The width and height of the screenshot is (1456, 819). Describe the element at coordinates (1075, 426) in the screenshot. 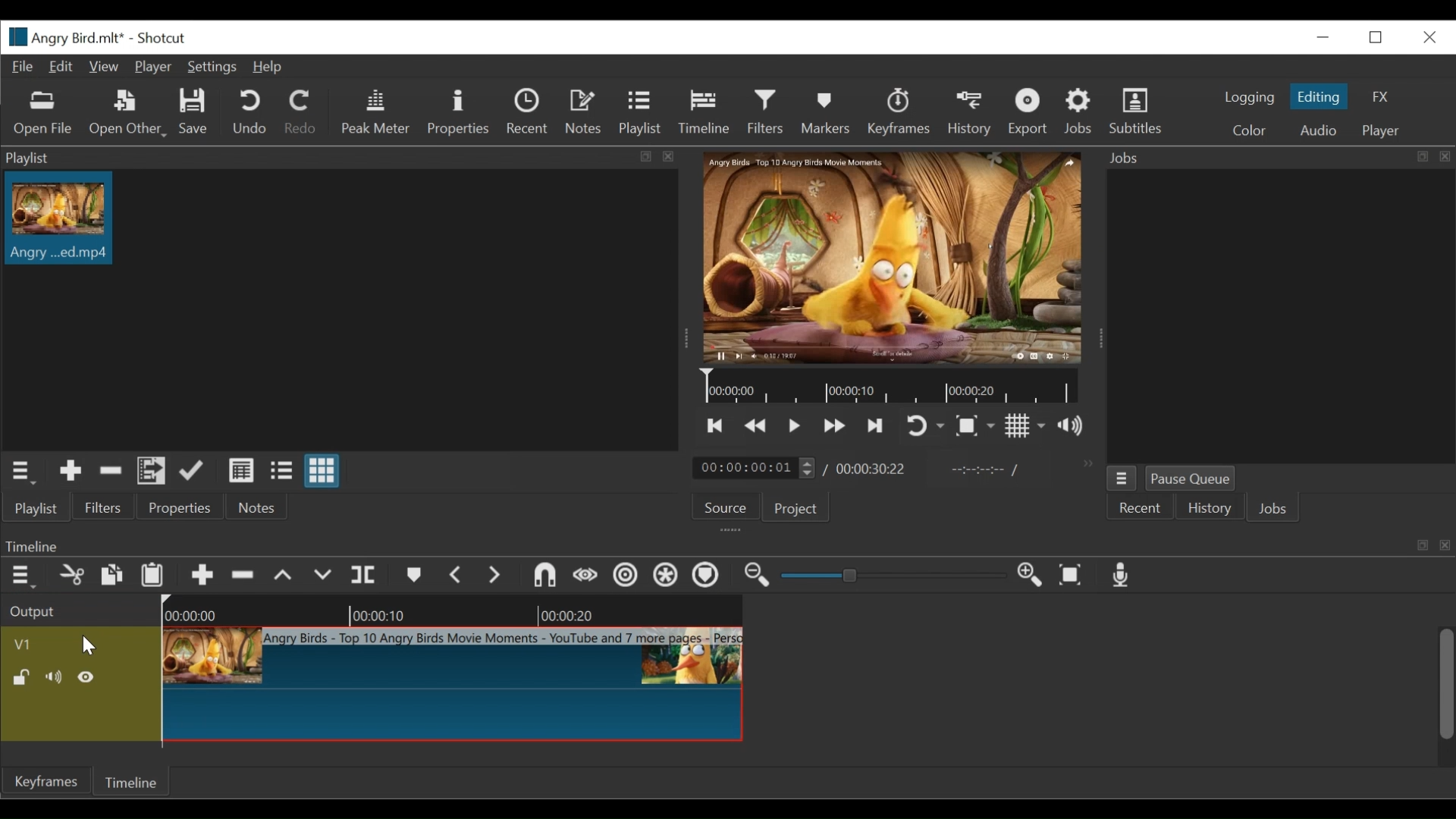

I see `Show thevolume control` at that location.